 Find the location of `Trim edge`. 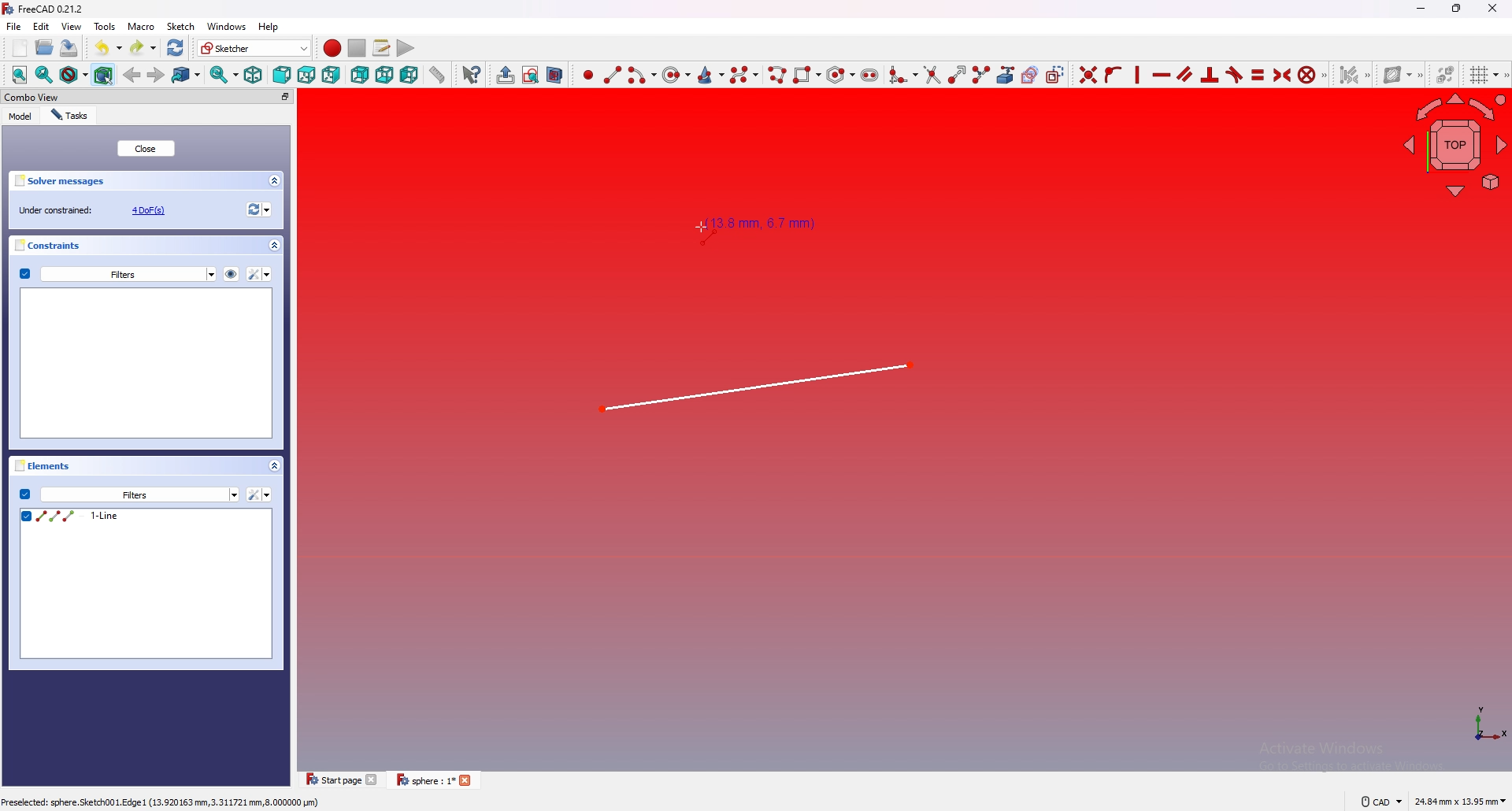

Trim edge is located at coordinates (931, 75).